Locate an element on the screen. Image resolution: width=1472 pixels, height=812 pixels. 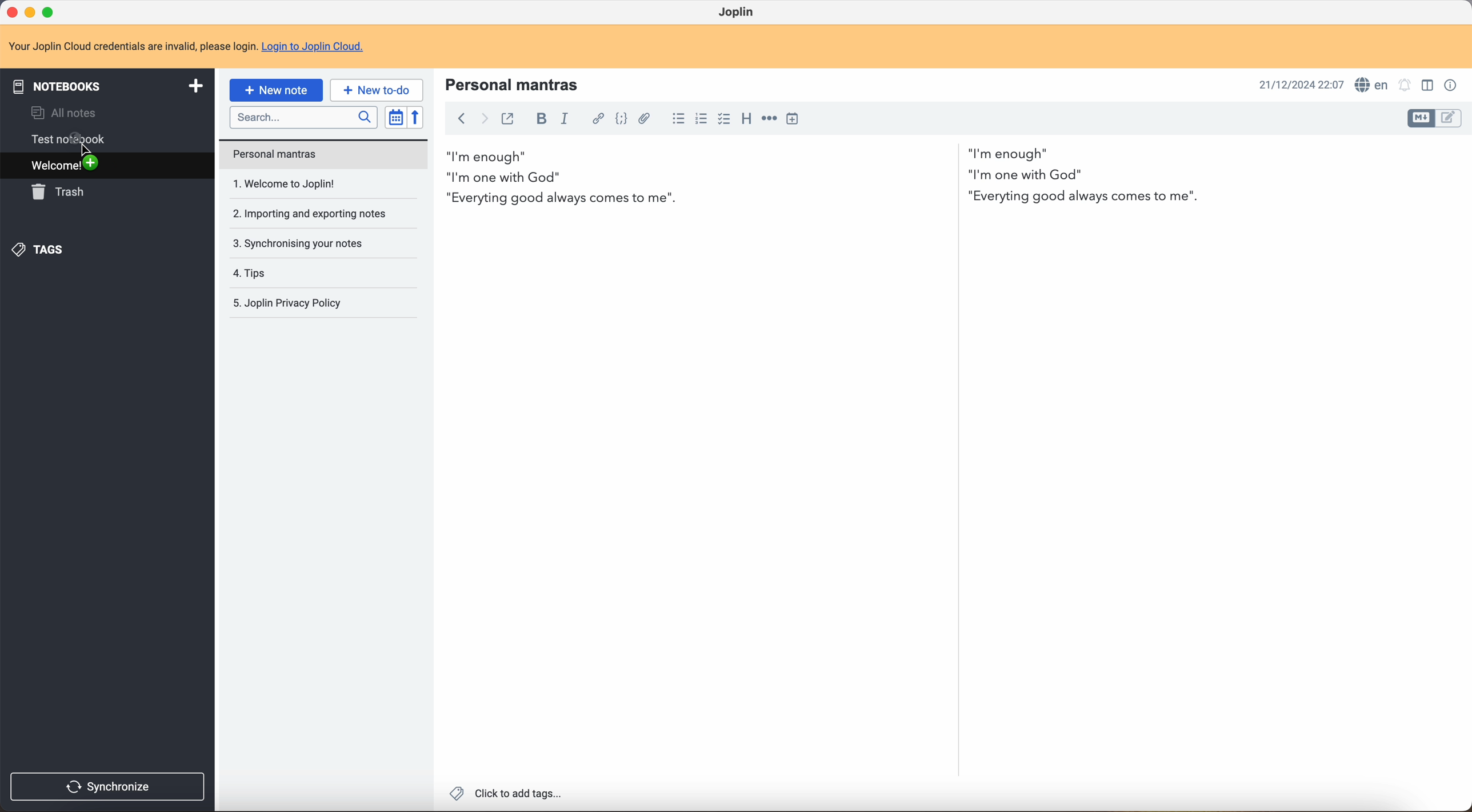
code is located at coordinates (620, 120).